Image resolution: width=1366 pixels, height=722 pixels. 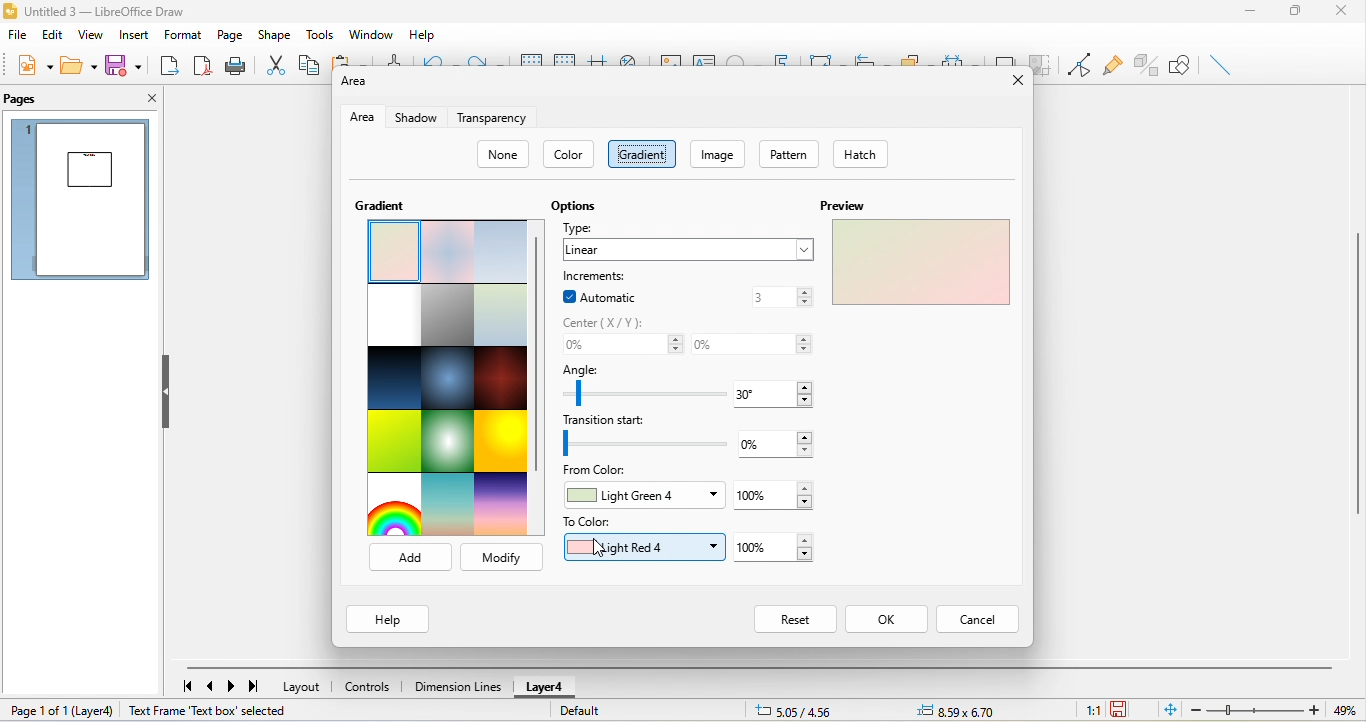 I want to click on save, so click(x=124, y=64).